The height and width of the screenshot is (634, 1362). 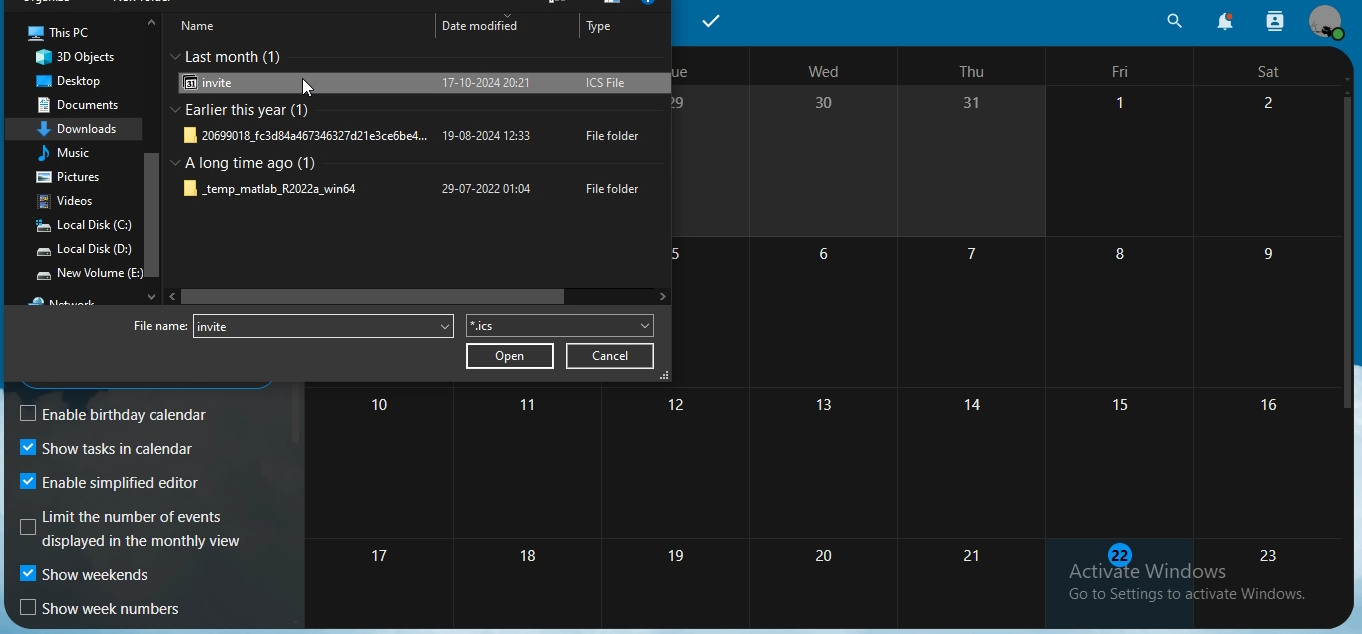 I want to click on cancel, so click(x=613, y=356).